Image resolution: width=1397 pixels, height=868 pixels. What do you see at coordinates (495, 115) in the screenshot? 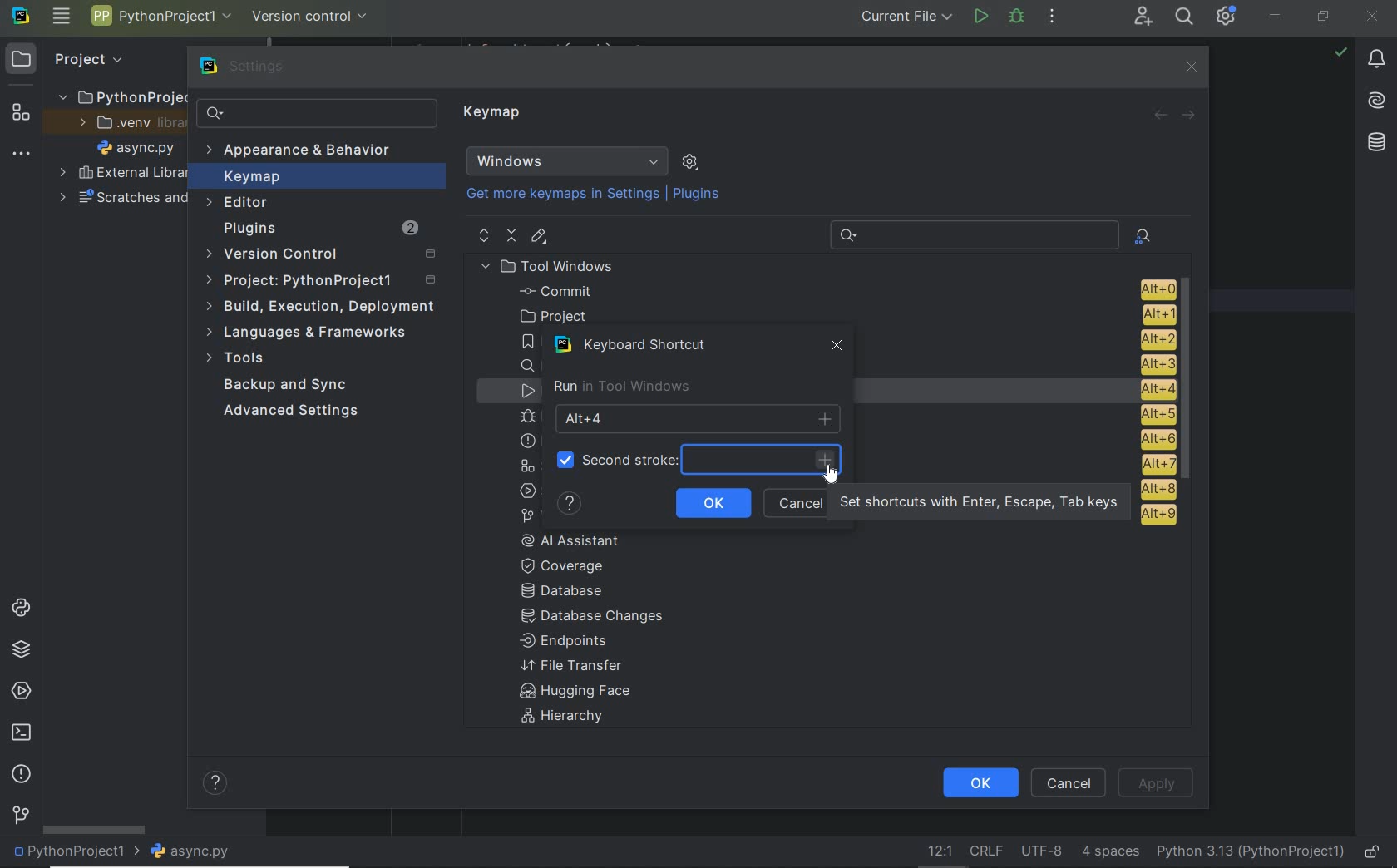
I see `Keymap` at bounding box center [495, 115].